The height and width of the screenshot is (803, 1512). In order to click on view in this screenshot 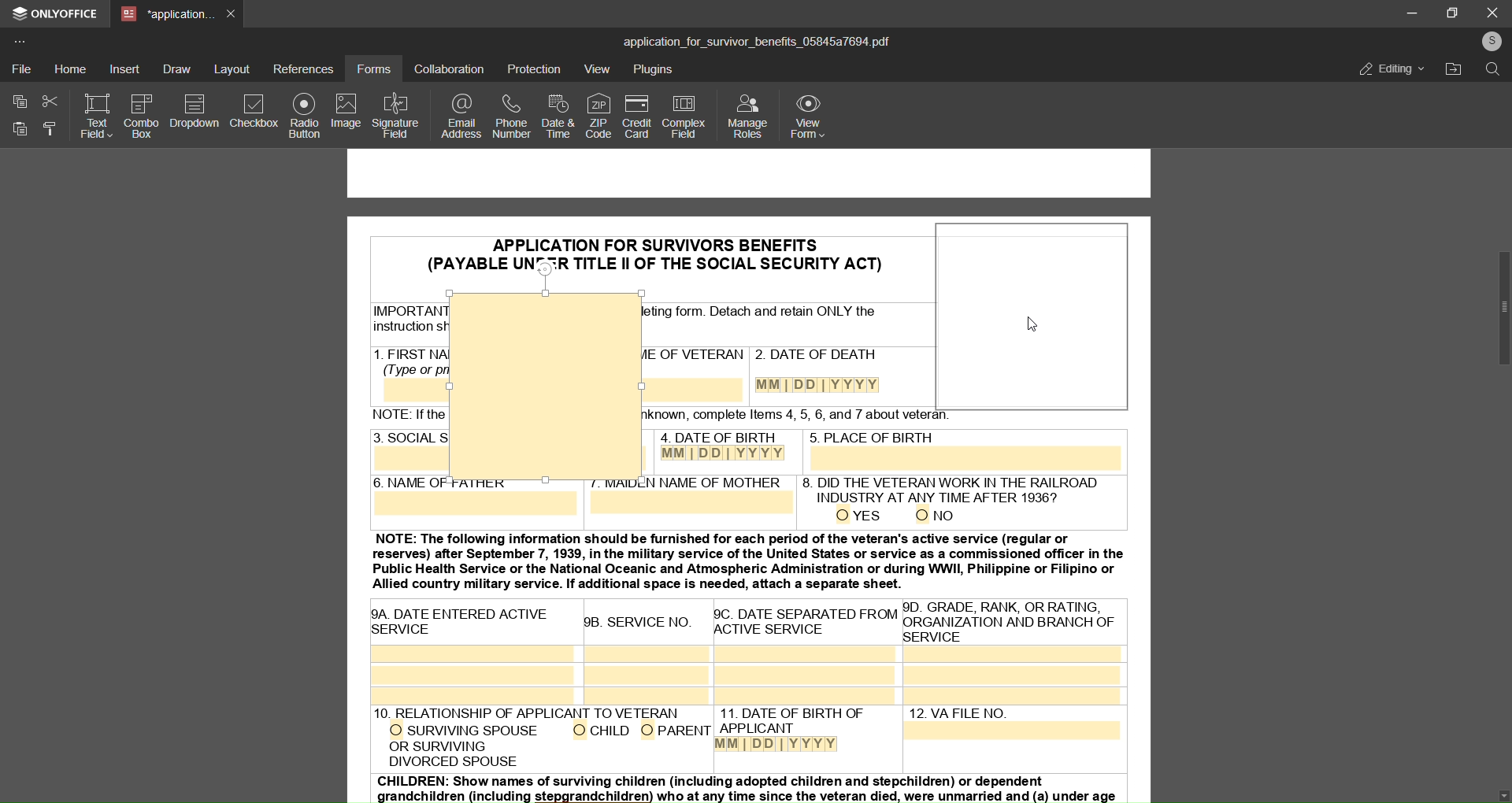, I will do `click(597, 70)`.